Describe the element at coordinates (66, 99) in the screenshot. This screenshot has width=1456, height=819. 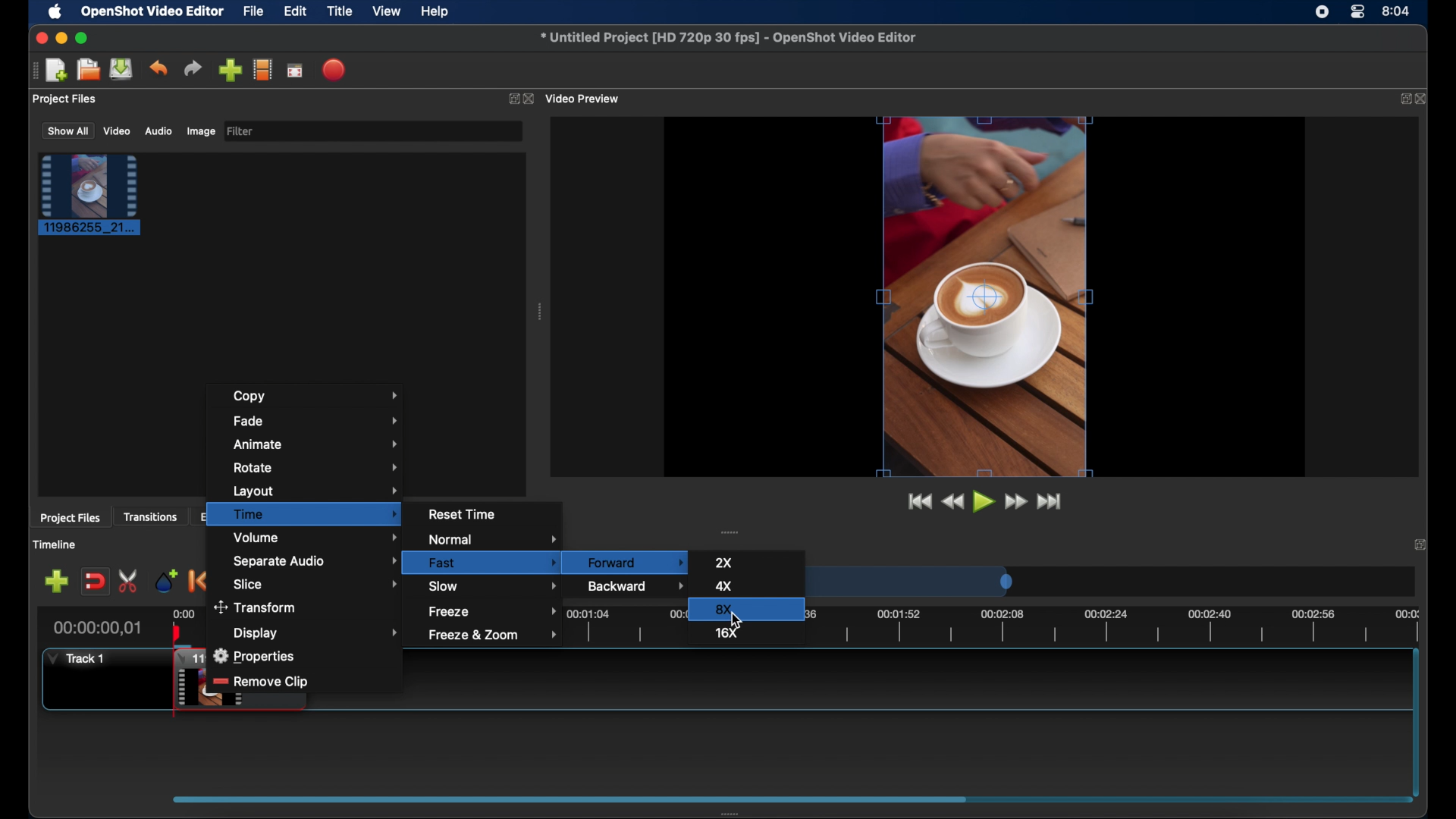
I see `project files` at that location.